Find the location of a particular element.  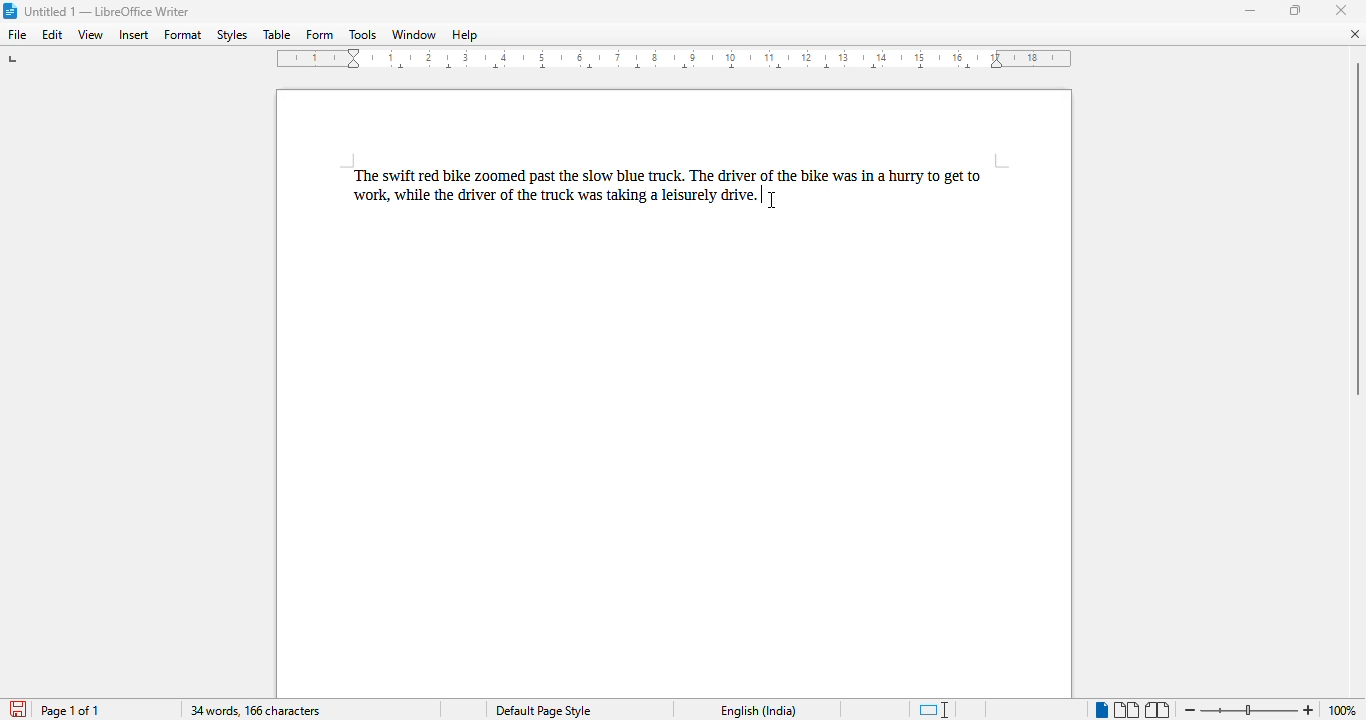

save document is located at coordinates (16, 709).